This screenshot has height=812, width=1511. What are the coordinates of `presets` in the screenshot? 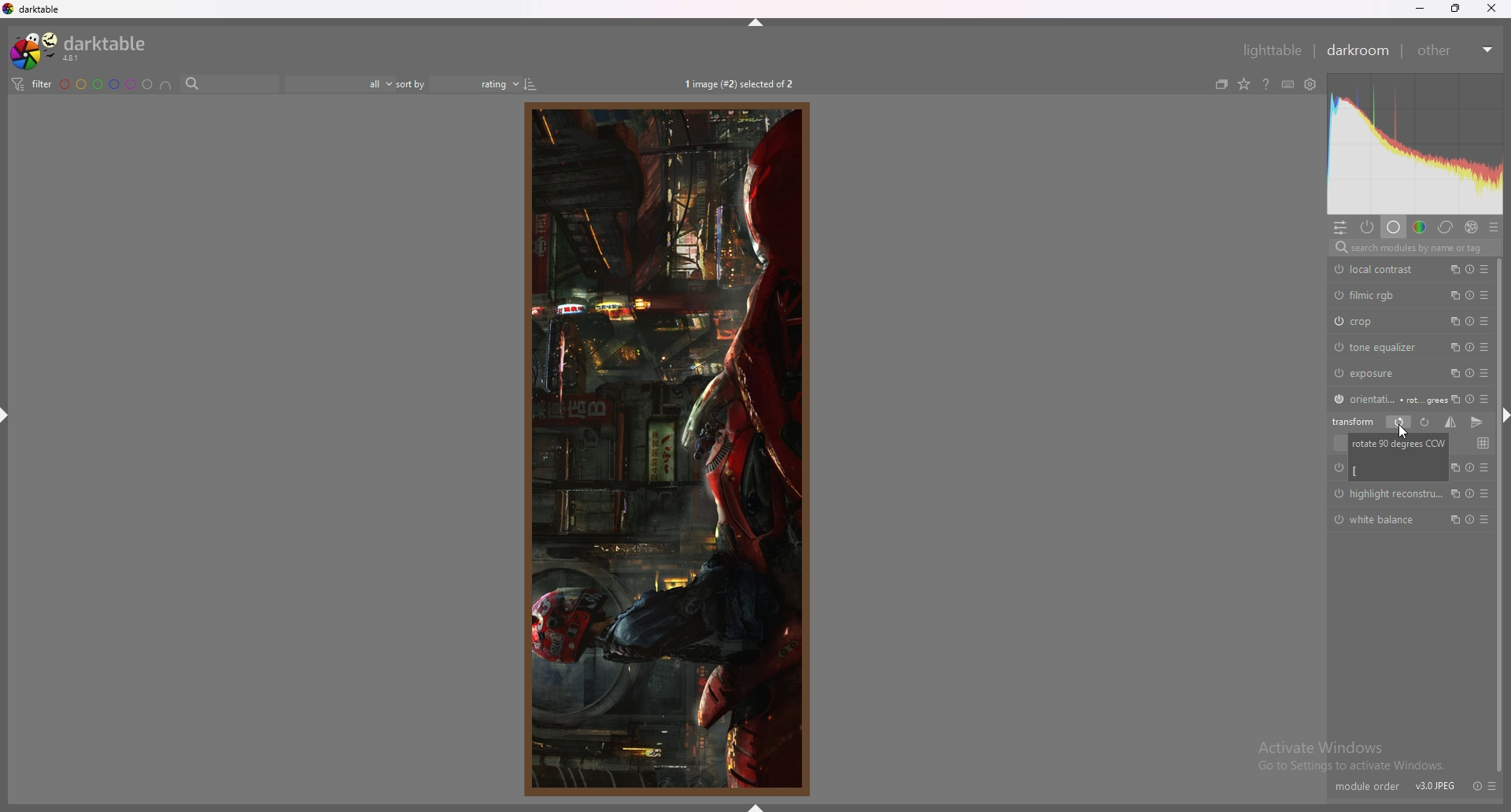 It's located at (1494, 228).